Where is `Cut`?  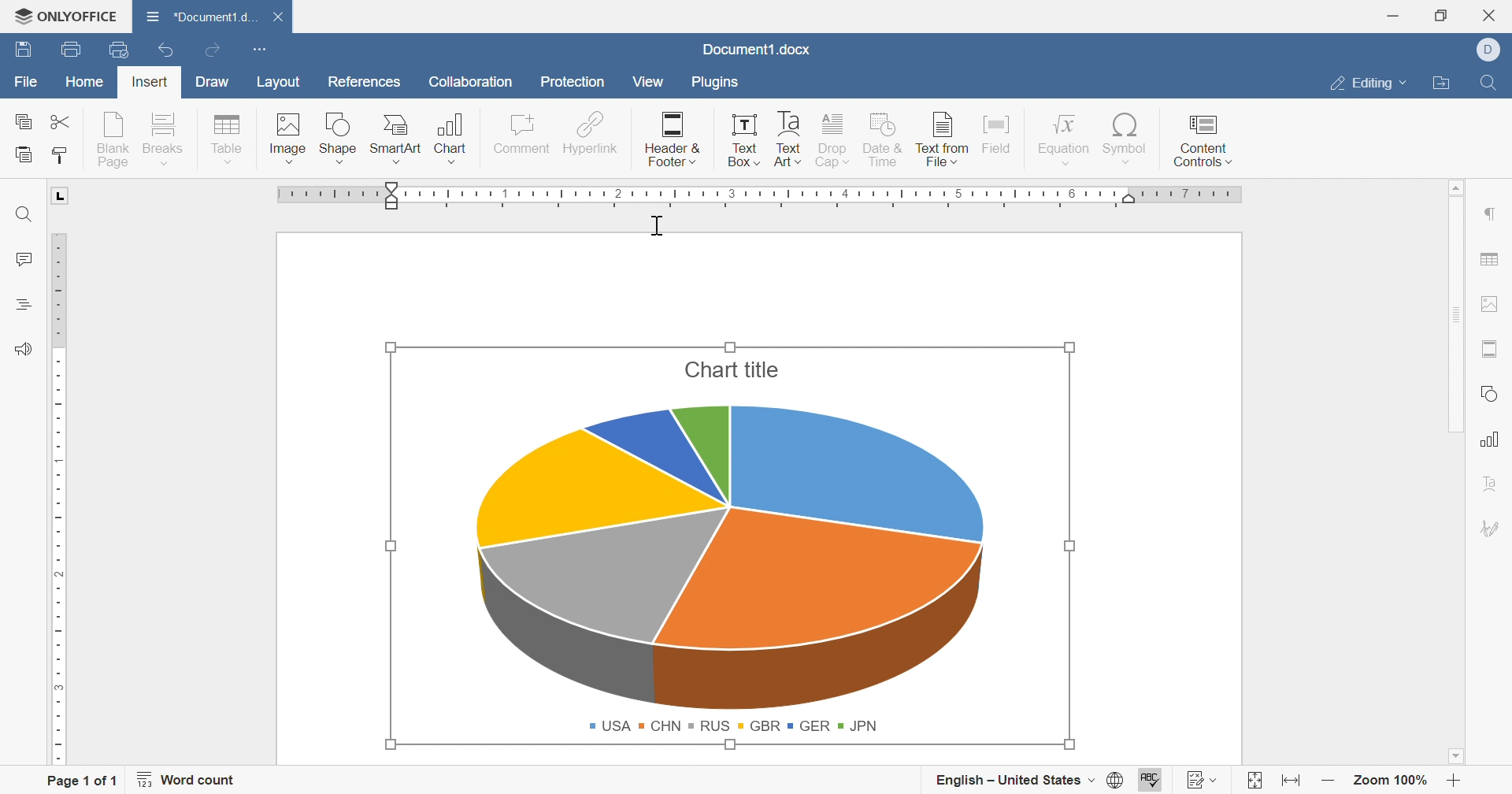
Cut is located at coordinates (63, 121).